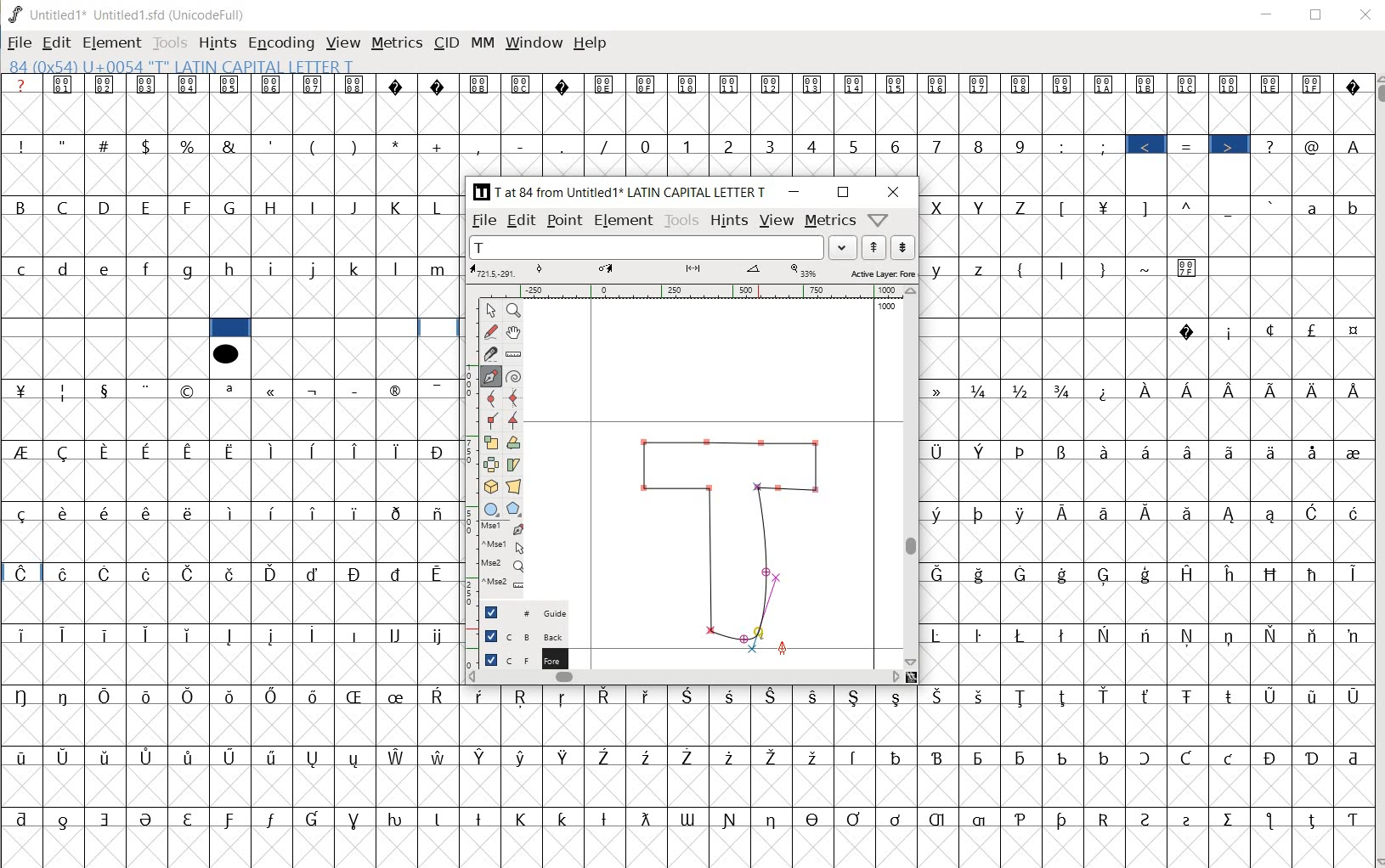 This screenshot has height=868, width=1385. I want to click on Symbol, so click(147, 634).